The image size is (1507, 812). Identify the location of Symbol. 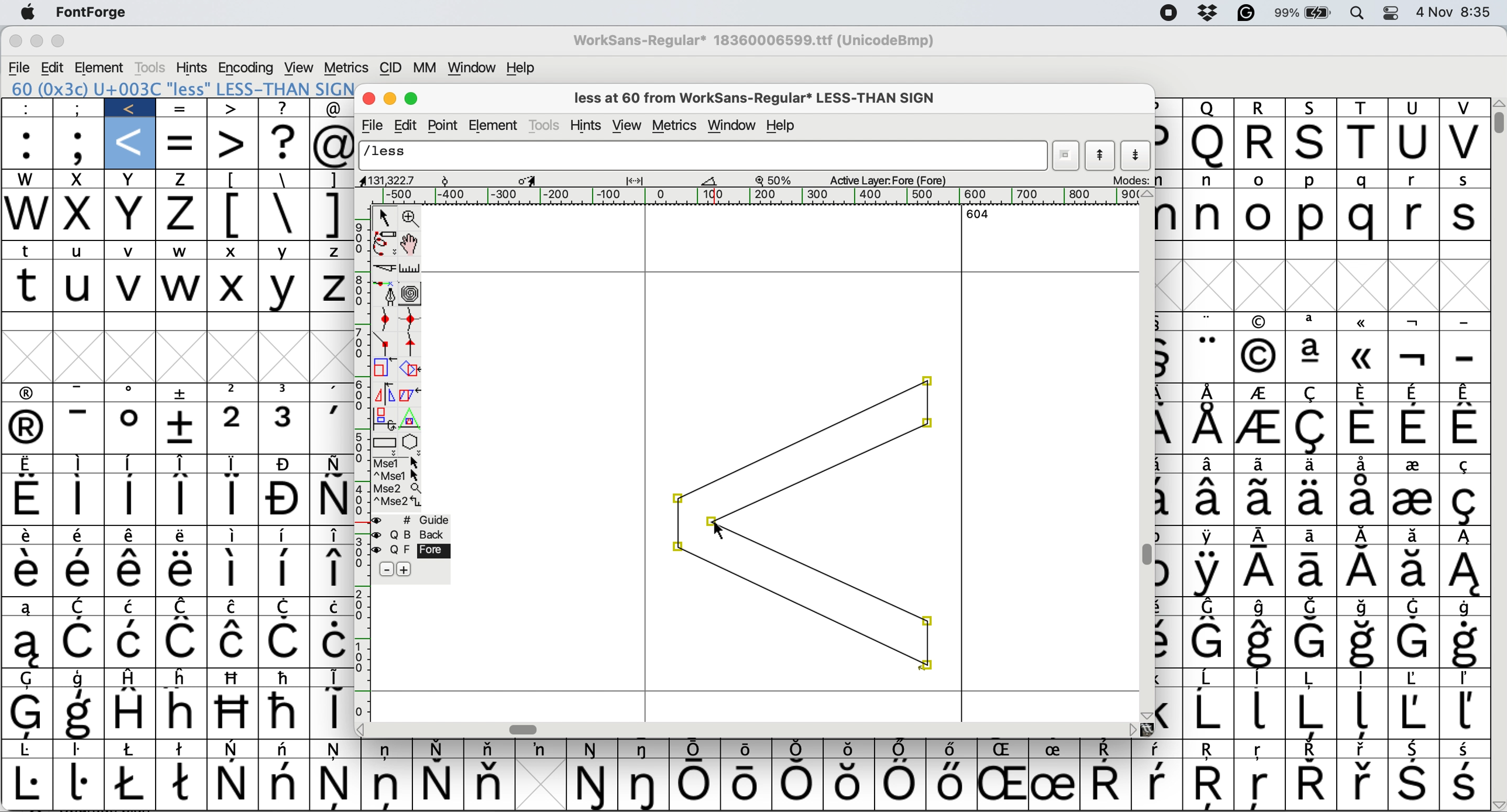
(1466, 536).